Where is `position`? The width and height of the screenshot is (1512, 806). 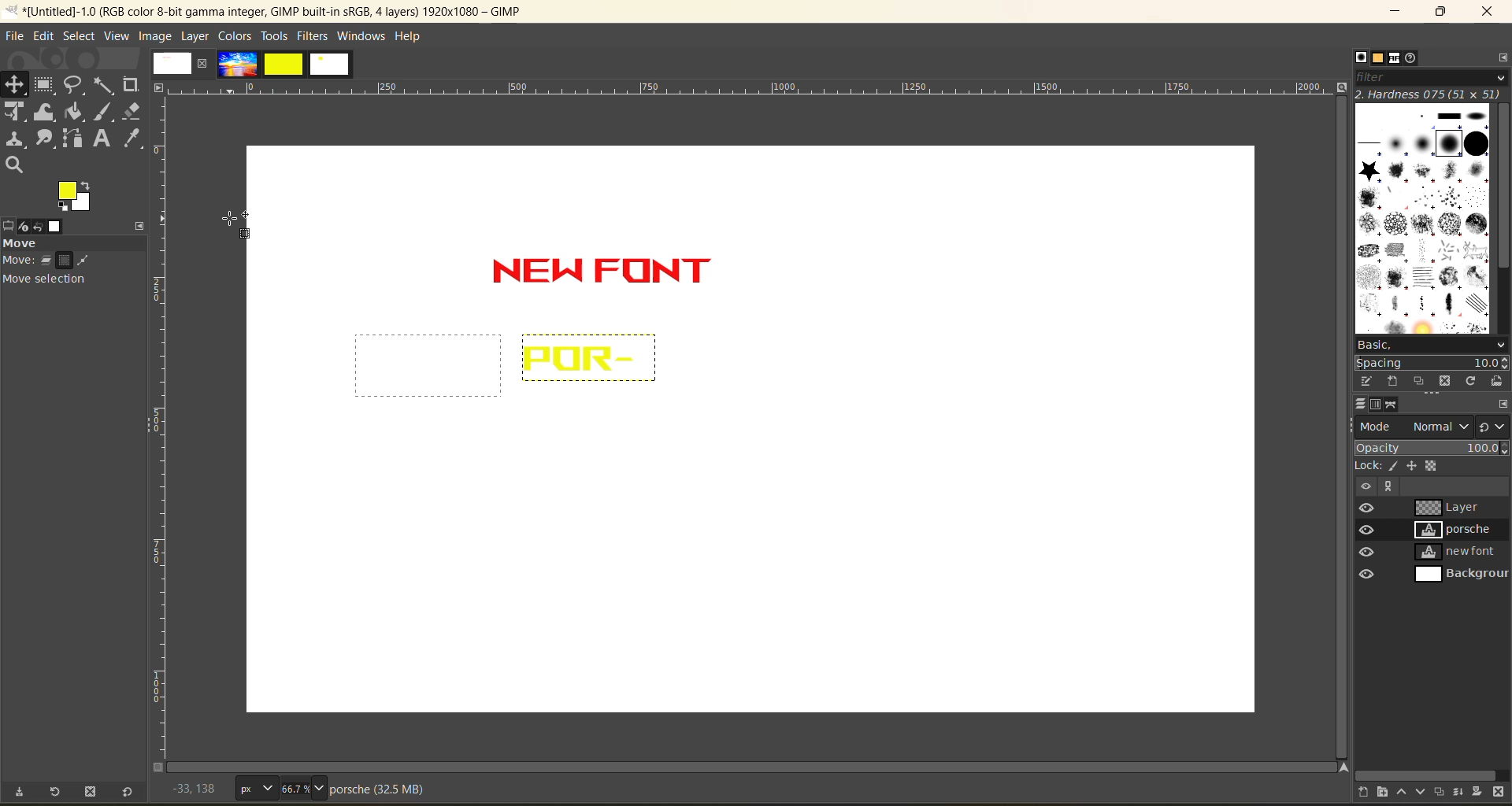 position is located at coordinates (15, 85).